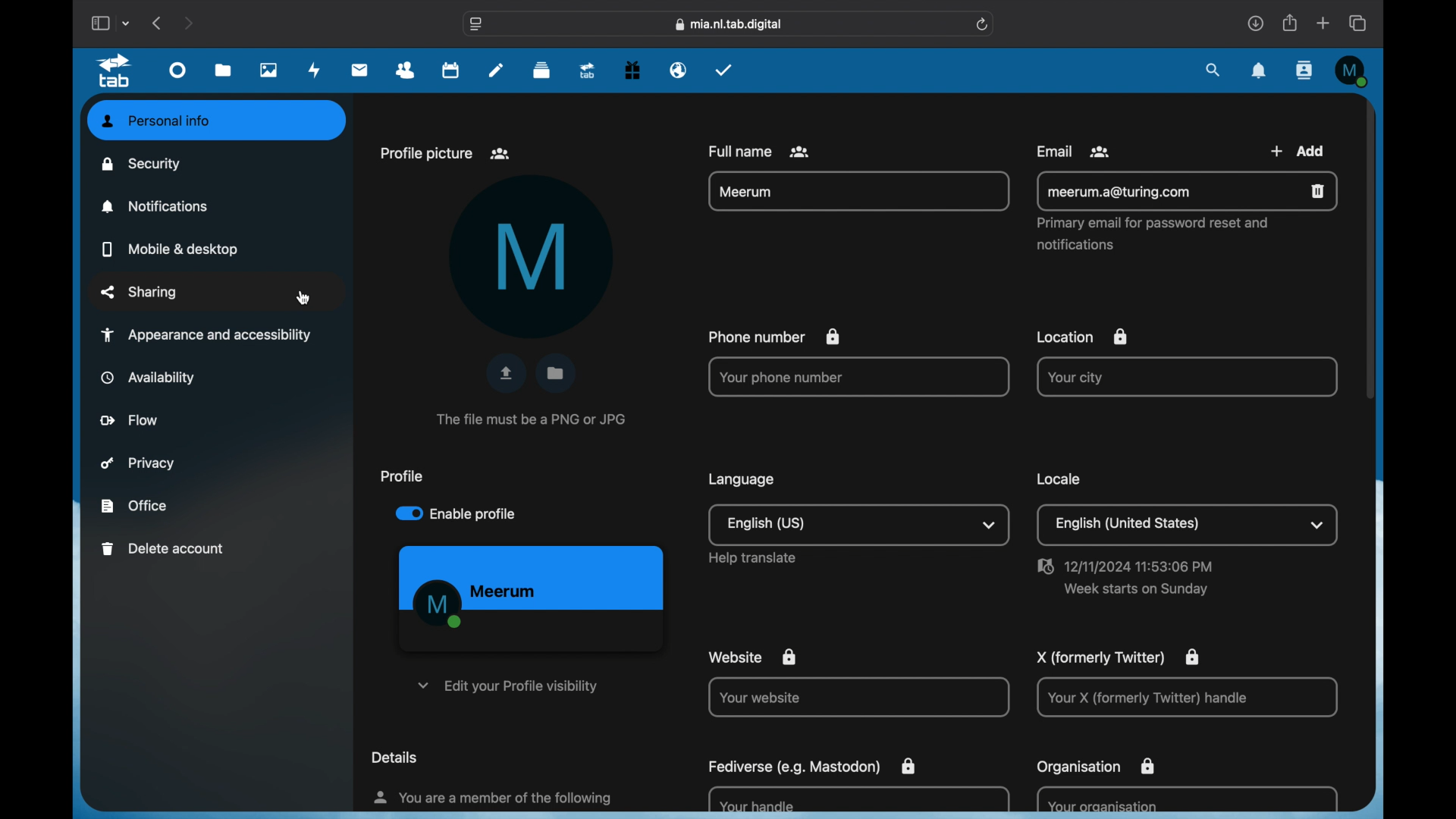  What do you see at coordinates (128, 24) in the screenshot?
I see `tab group picker` at bounding box center [128, 24].